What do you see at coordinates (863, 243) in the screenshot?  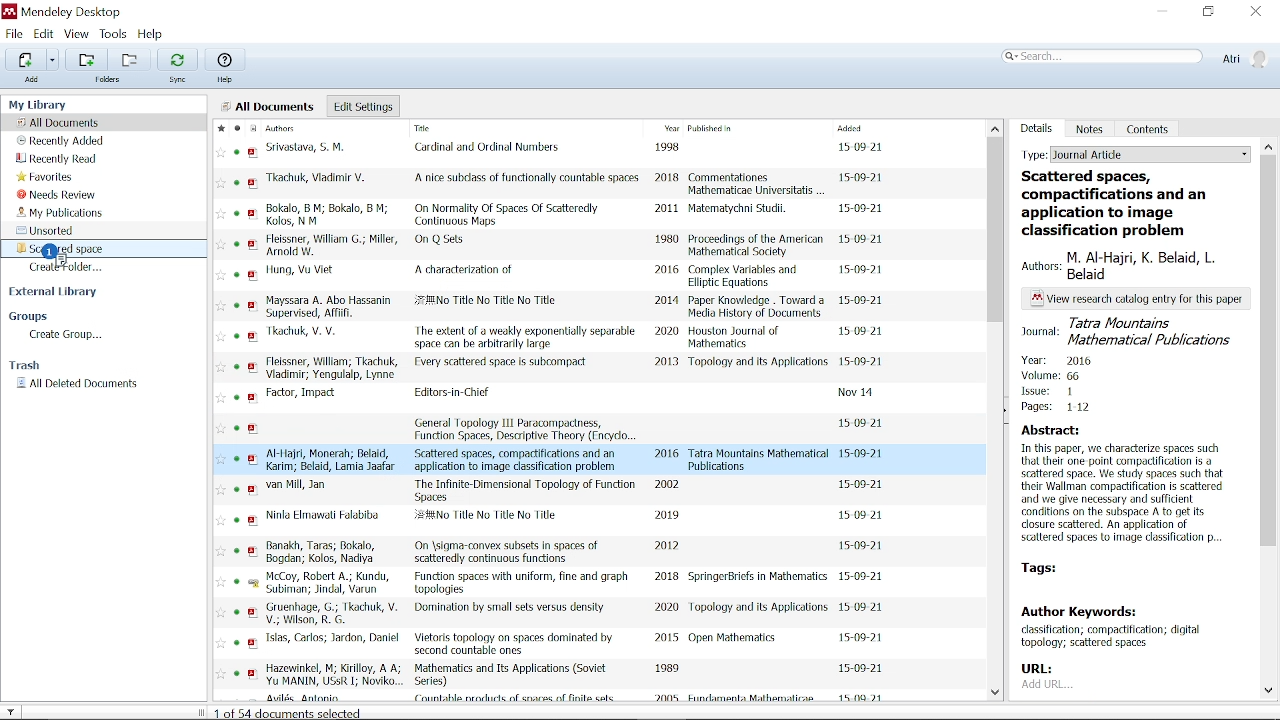 I see `date` at bounding box center [863, 243].